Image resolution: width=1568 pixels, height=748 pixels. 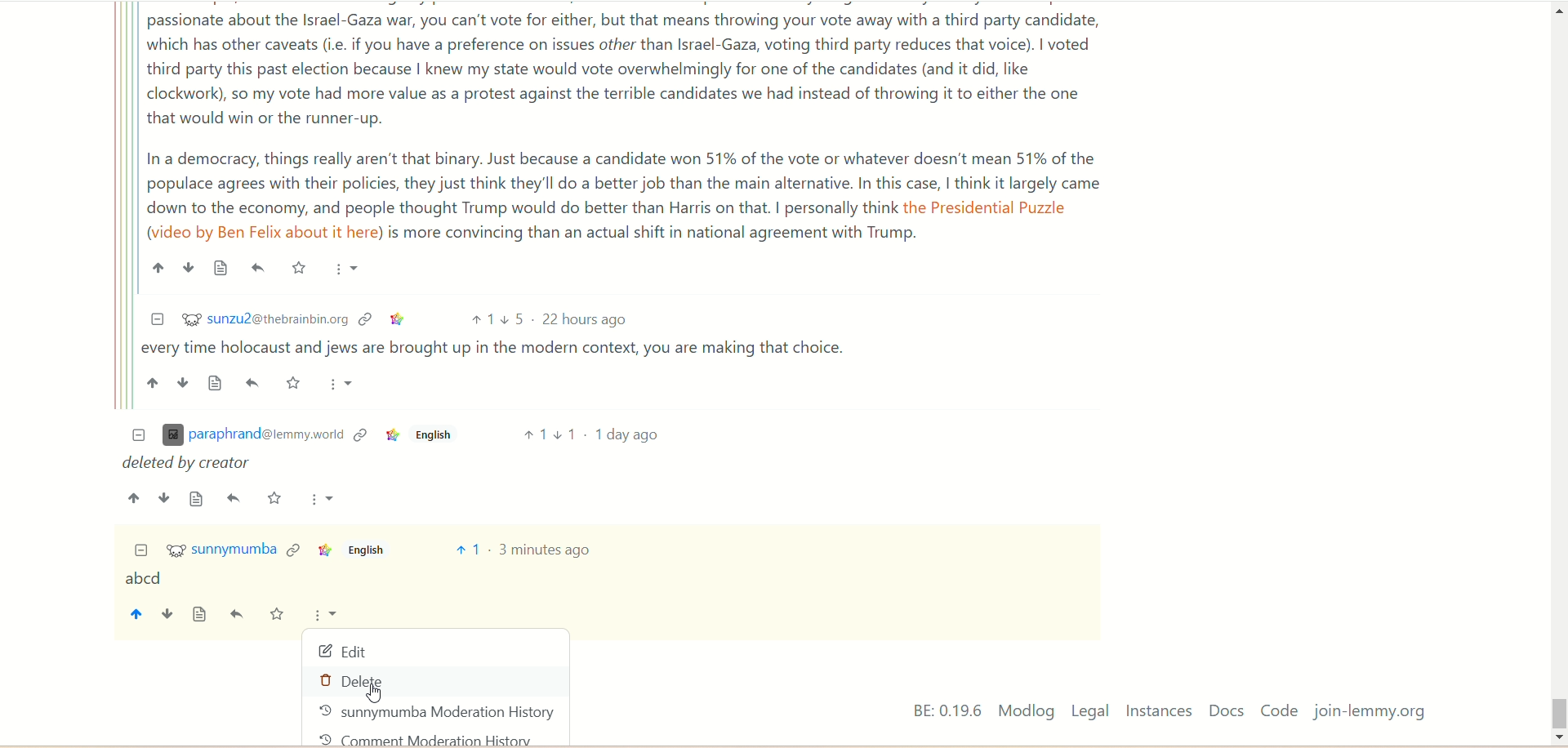 I want to click on deleted by creator, so click(x=189, y=464).